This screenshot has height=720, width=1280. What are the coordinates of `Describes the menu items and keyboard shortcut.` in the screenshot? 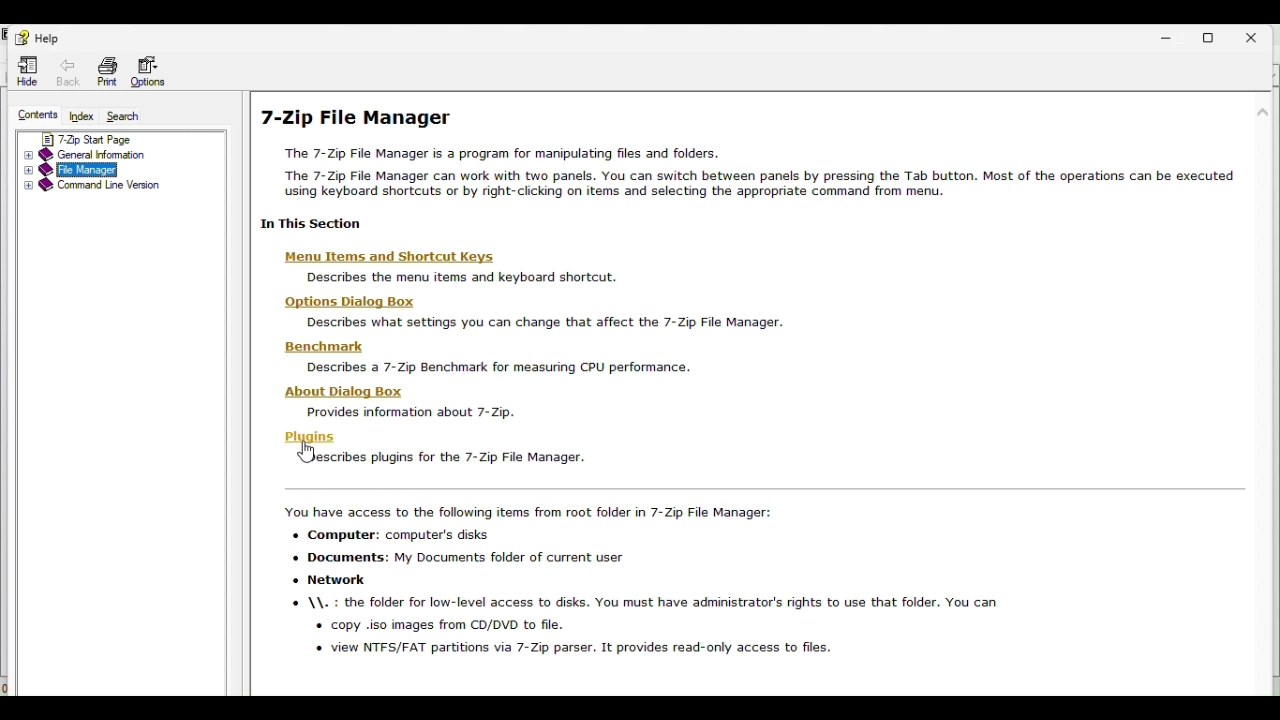 It's located at (459, 279).